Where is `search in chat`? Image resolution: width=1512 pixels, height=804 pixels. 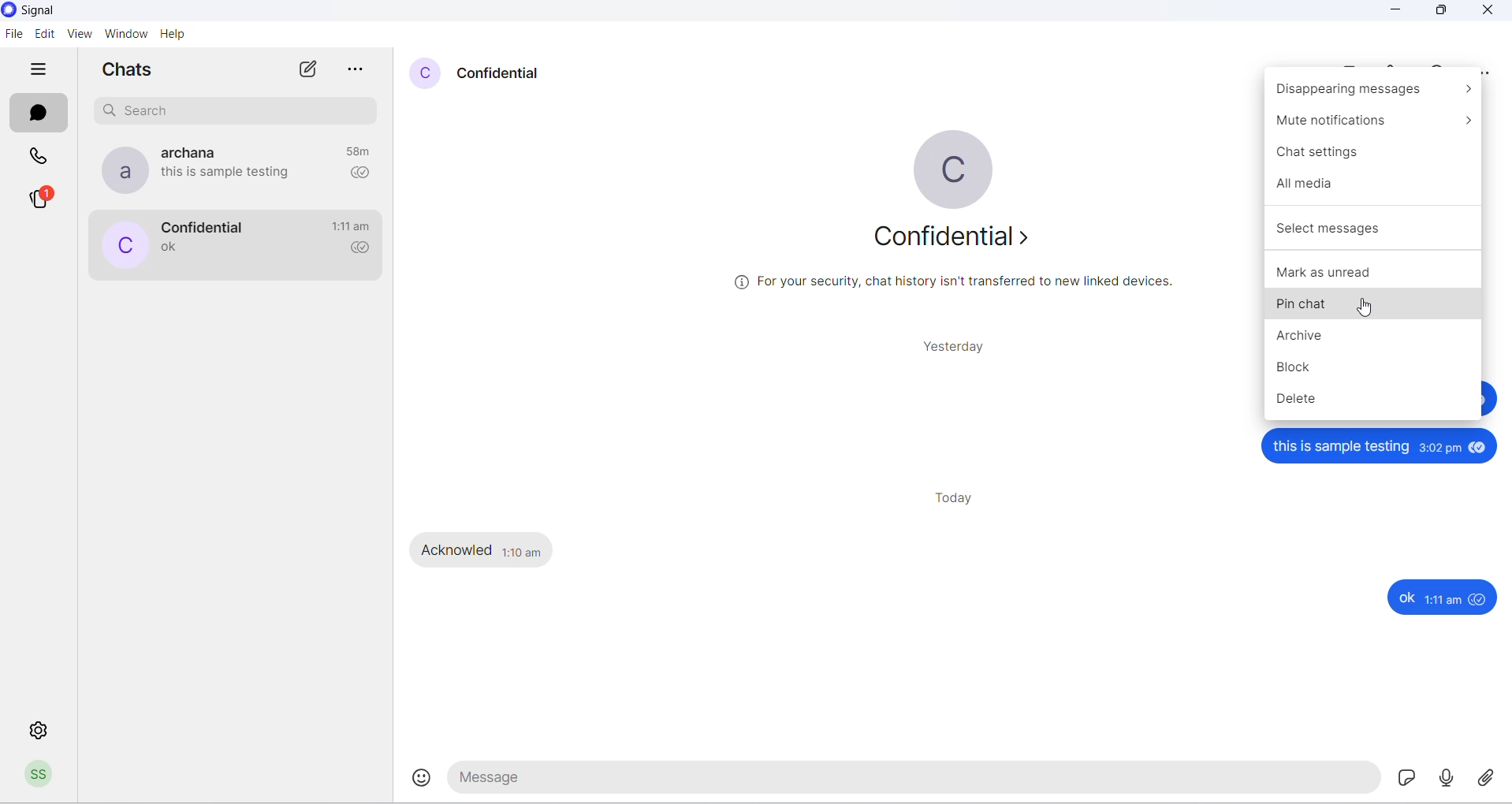 search in chat is located at coordinates (1439, 66).